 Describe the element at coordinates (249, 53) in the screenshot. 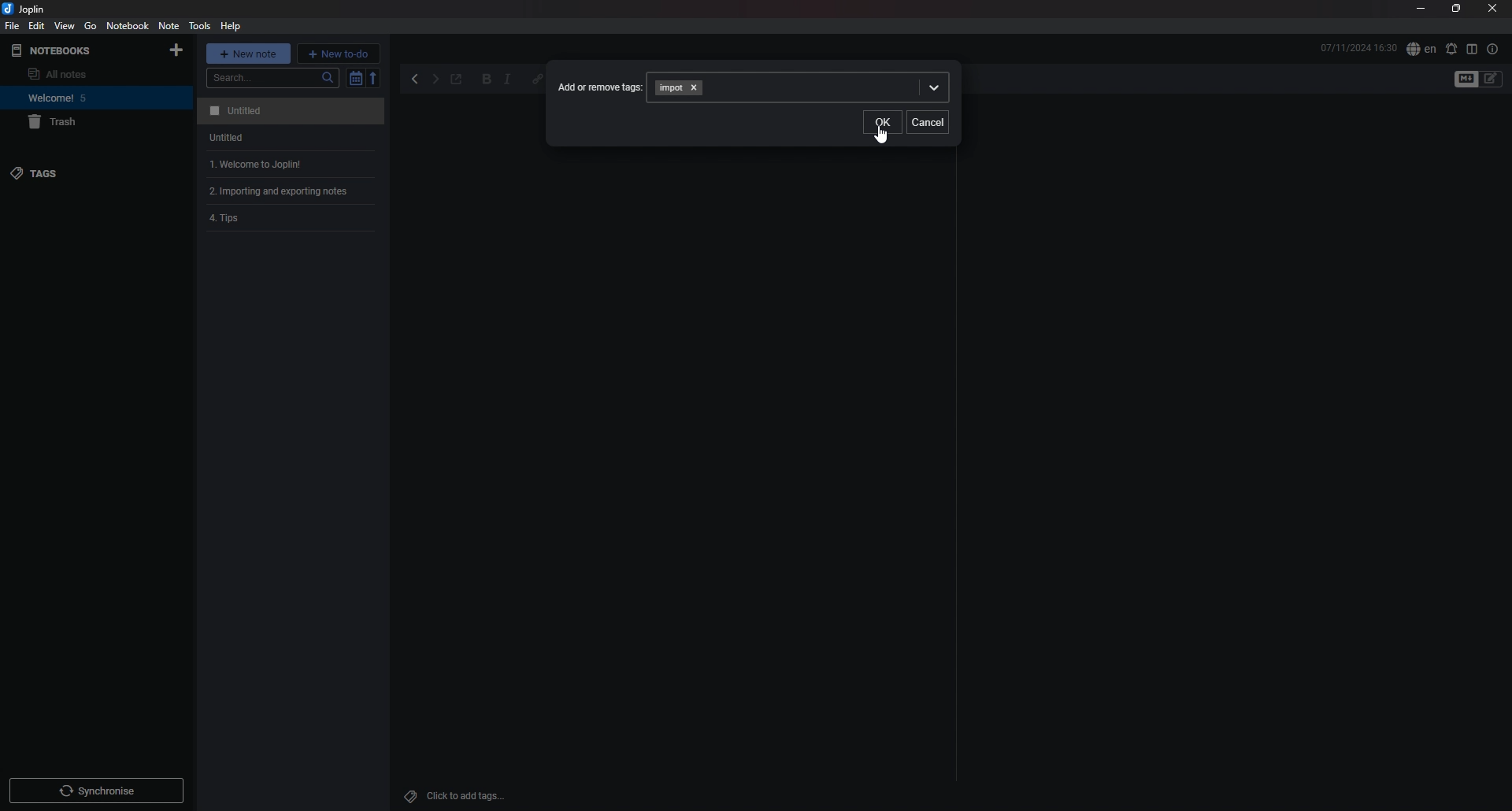

I see `new note` at that location.